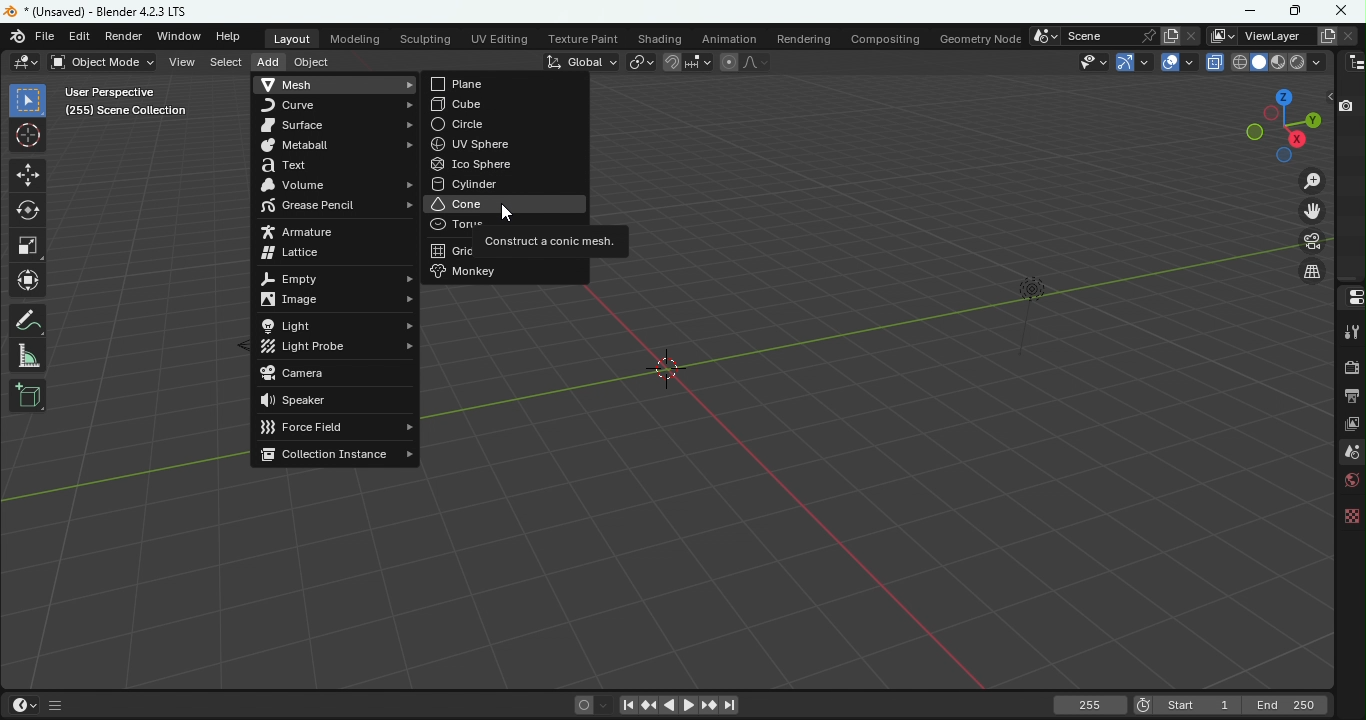 The height and width of the screenshot is (720, 1366). What do you see at coordinates (338, 301) in the screenshot?
I see `Image` at bounding box center [338, 301].